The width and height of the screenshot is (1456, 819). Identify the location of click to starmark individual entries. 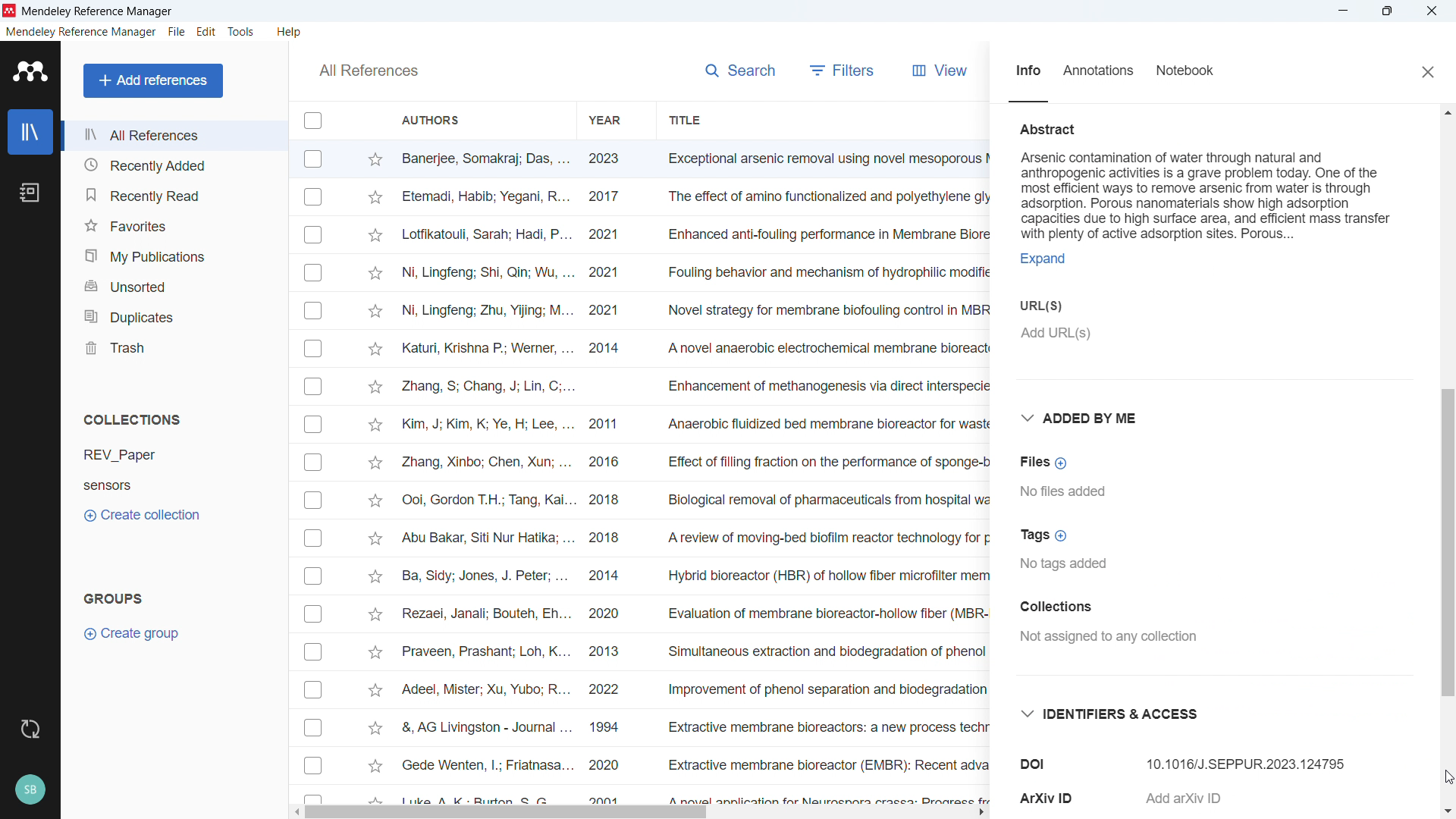
(375, 613).